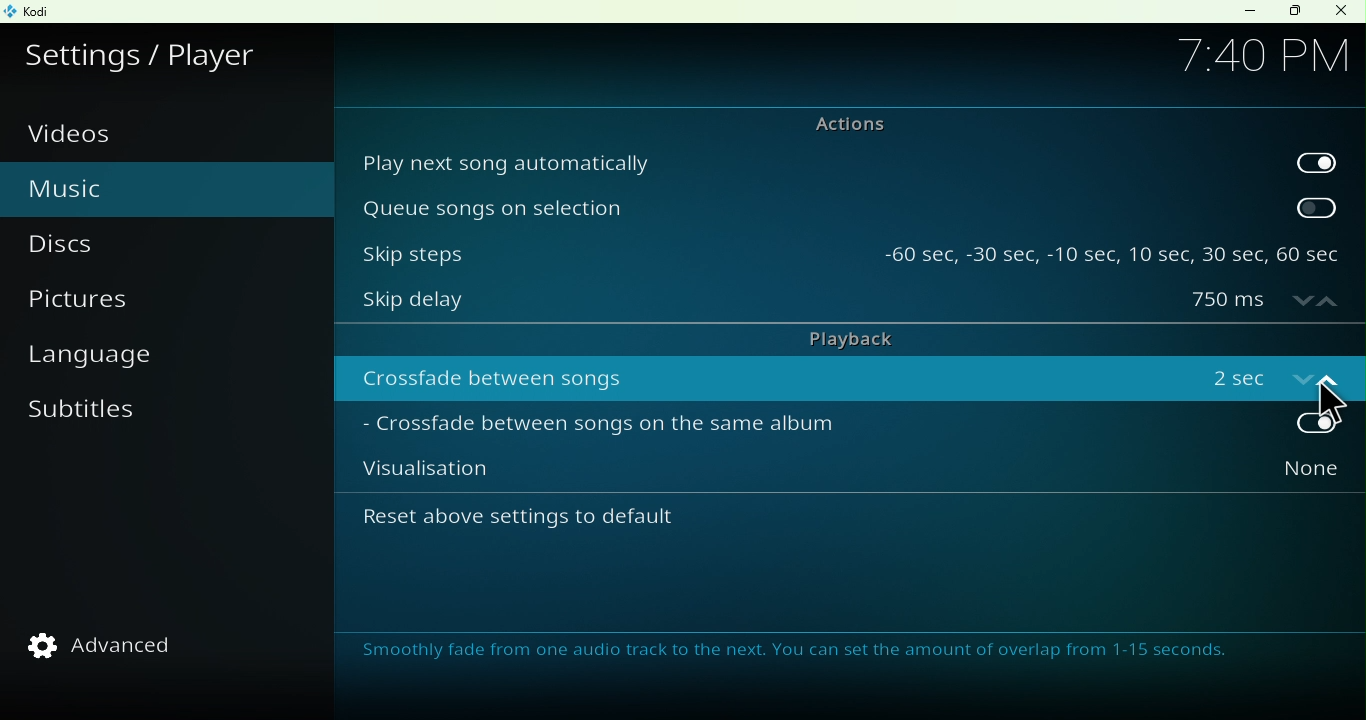 The height and width of the screenshot is (720, 1366). I want to click on Videos, so click(83, 134).